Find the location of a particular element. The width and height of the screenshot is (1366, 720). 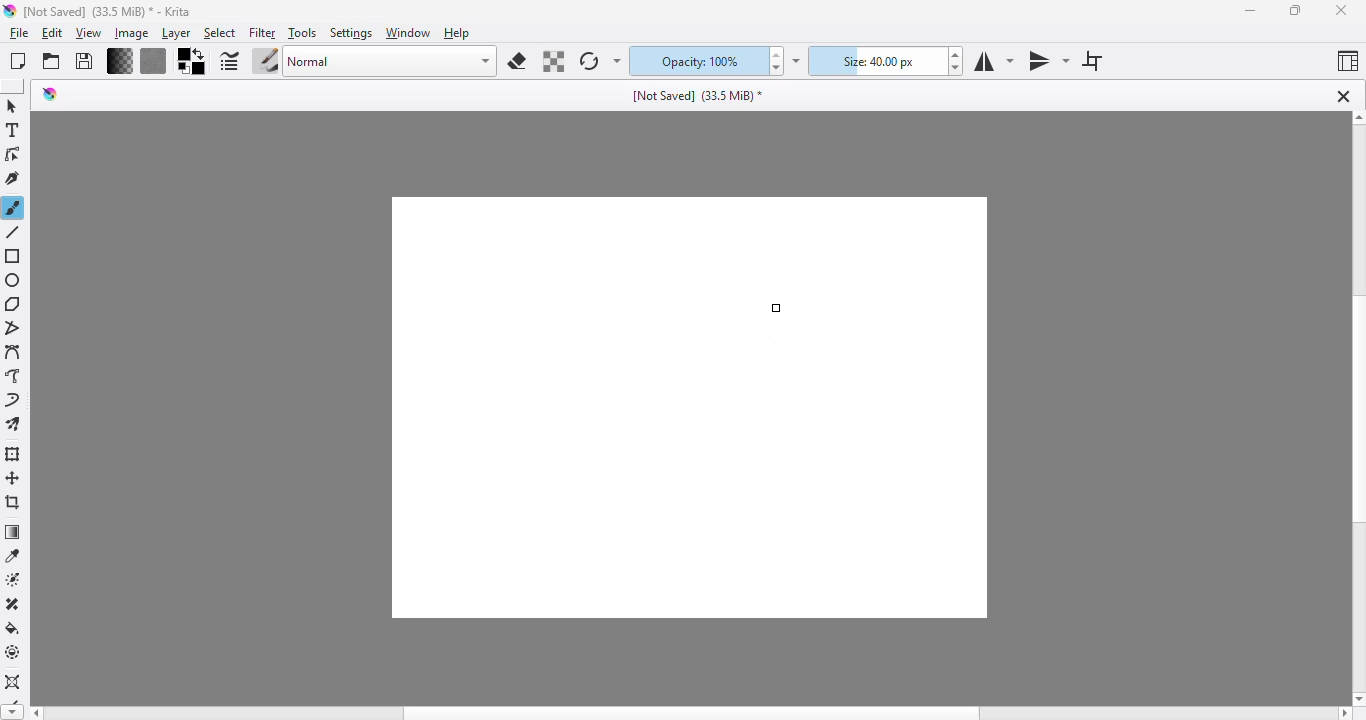

minimize is located at coordinates (1252, 11).